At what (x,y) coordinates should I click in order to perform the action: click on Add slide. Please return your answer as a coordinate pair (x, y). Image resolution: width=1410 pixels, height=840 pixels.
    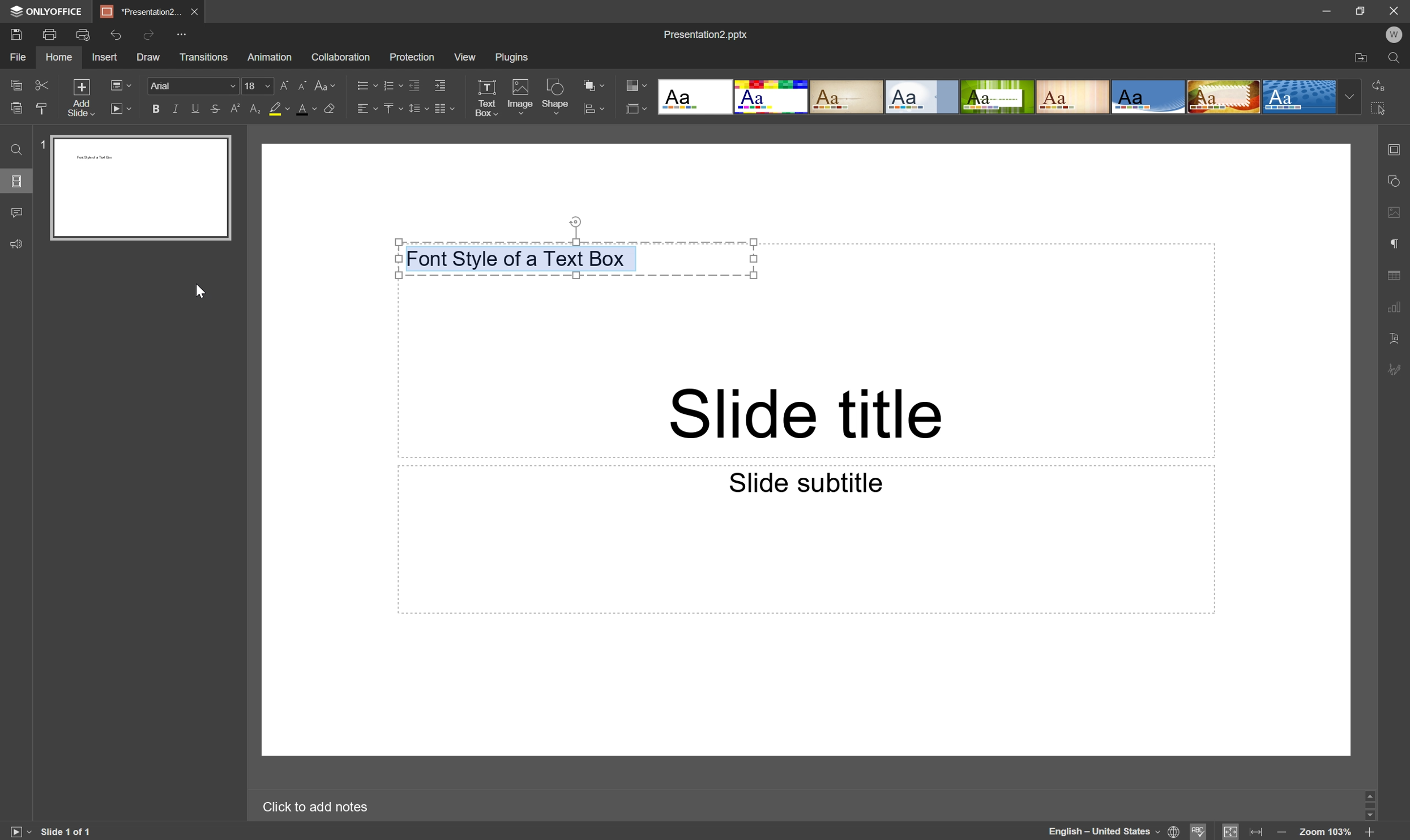
    Looking at the image, I should click on (81, 96).